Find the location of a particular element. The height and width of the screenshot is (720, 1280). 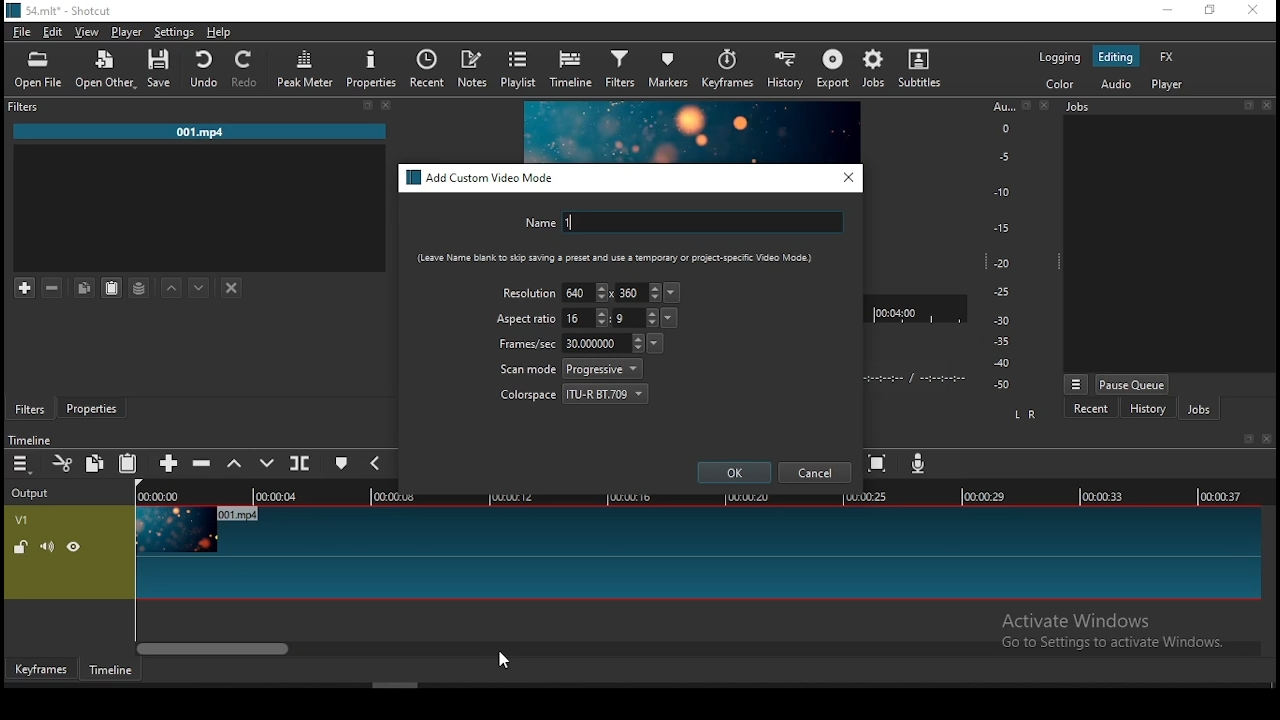

scroll bar is located at coordinates (699, 647).